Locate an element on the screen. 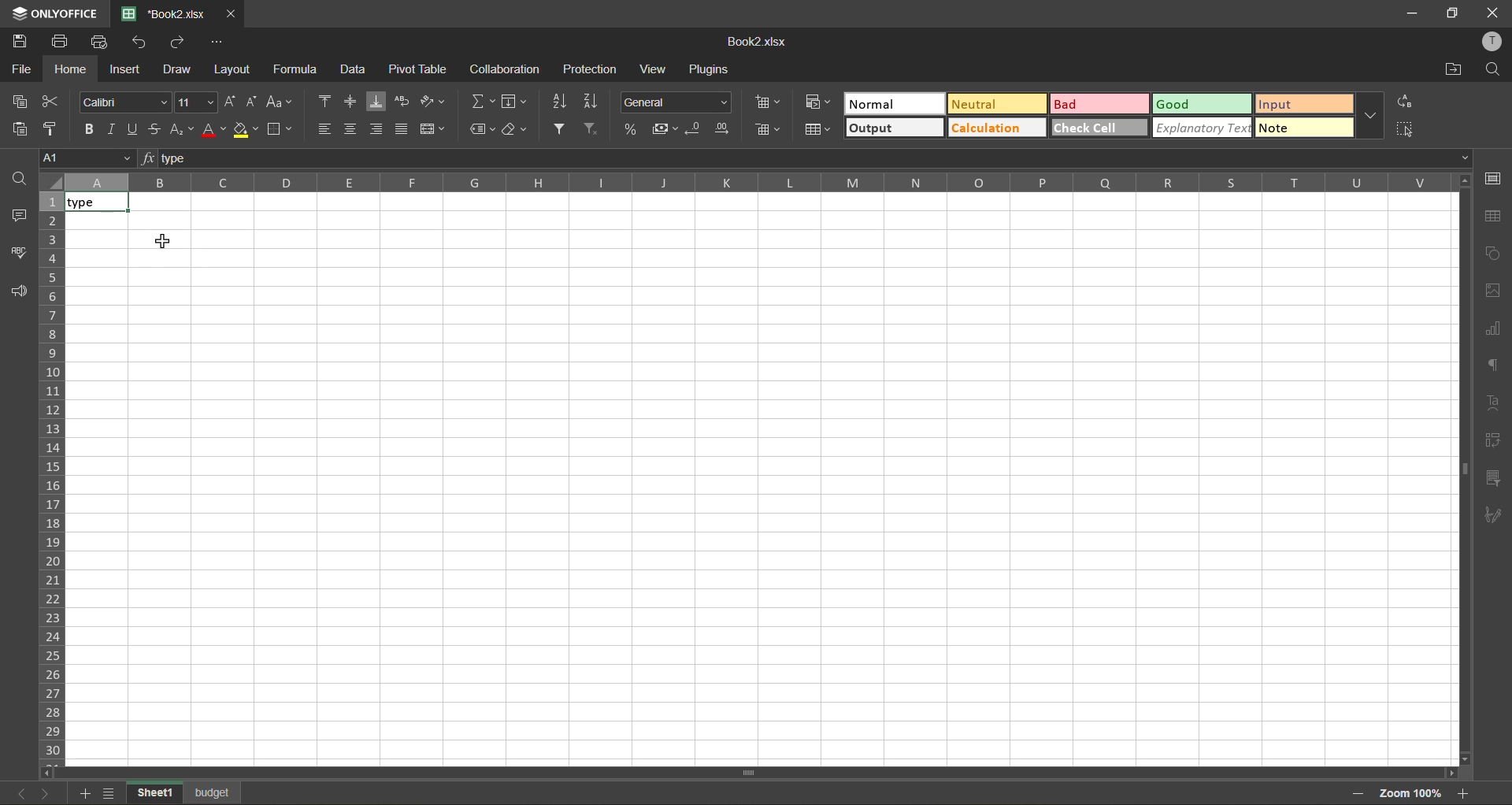 This screenshot has width=1512, height=805. fields is located at coordinates (515, 101).